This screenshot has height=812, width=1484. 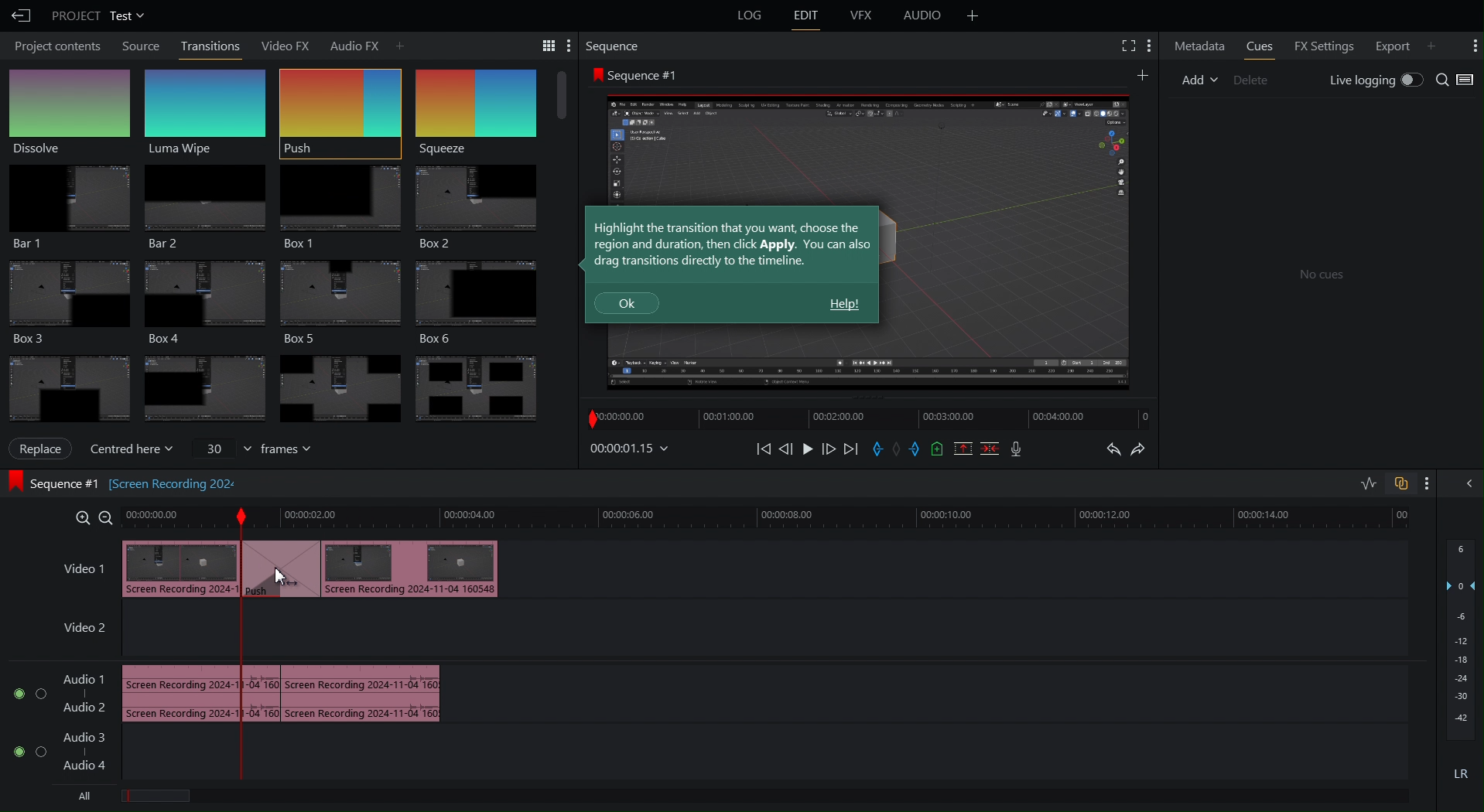 What do you see at coordinates (89, 733) in the screenshot?
I see `Audio Track 3` at bounding box center [89, 733].